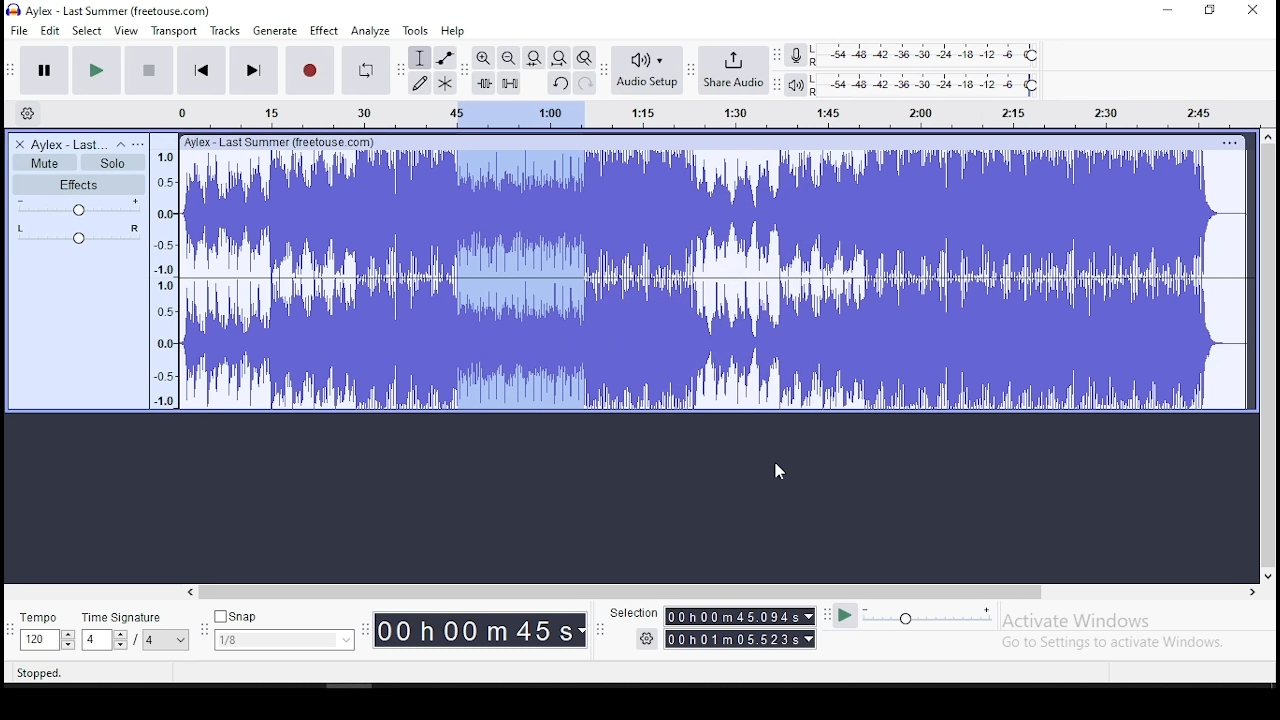 Image resolution: width=1280 pixels, height=720 pixels. What do you see at coordinates (932, 54) in the screenshot?
I see `recording level` at bounding box center [932, 54].